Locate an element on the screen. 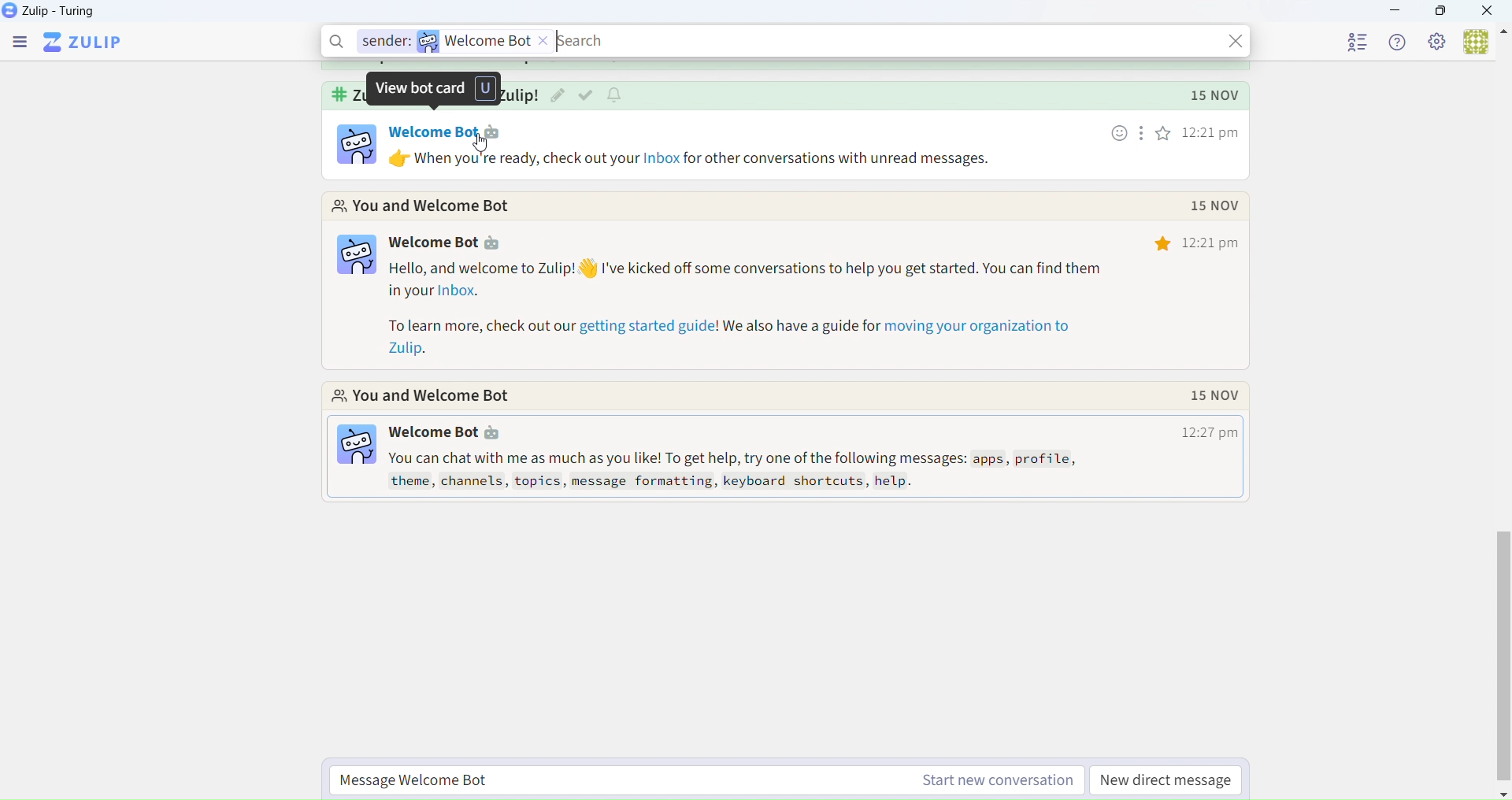 The image size is (1512, 800). 15 NOV is located at coordinates (1214, 398).